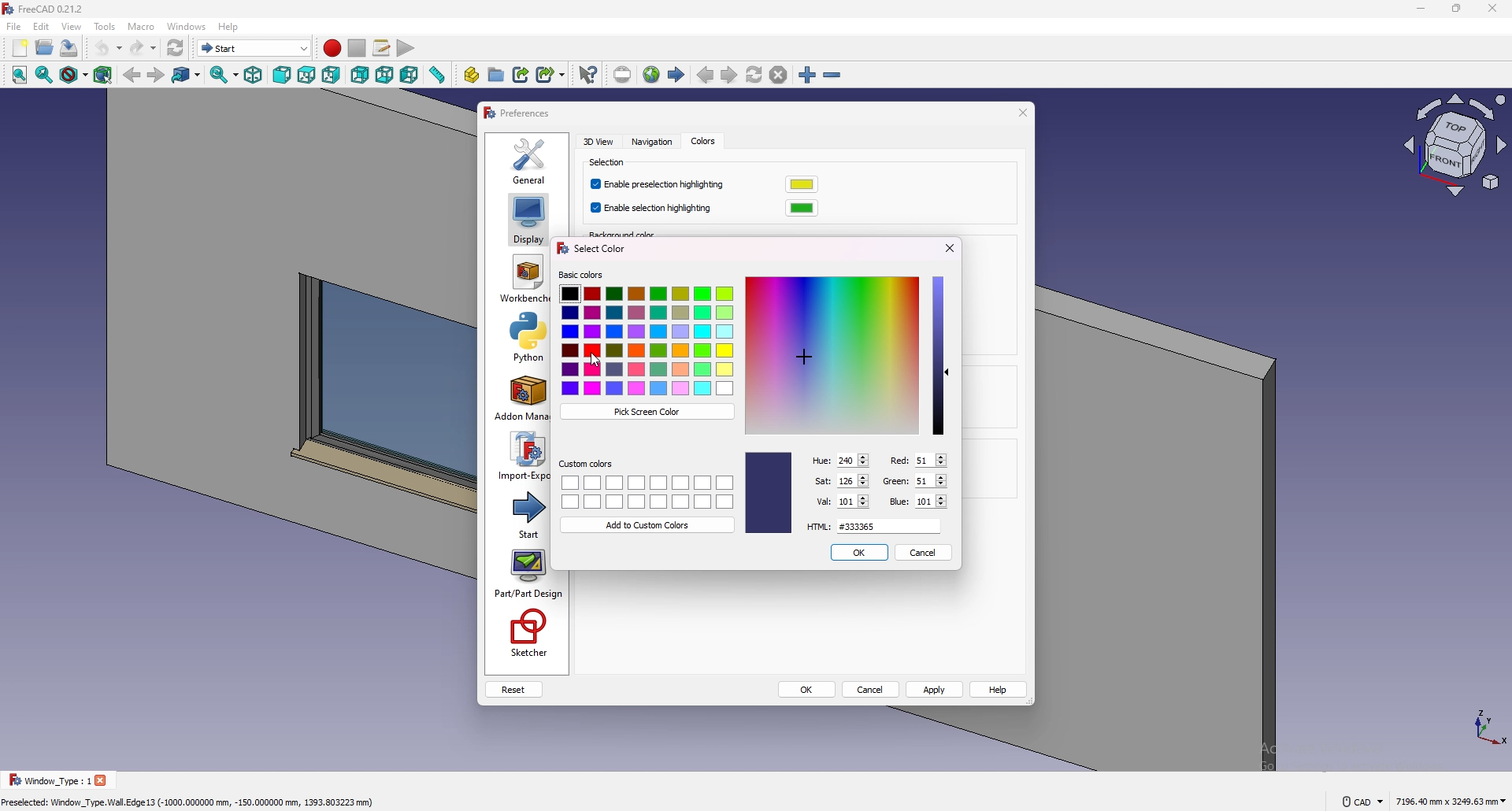  I want to click on preferences, so click(518, 113).